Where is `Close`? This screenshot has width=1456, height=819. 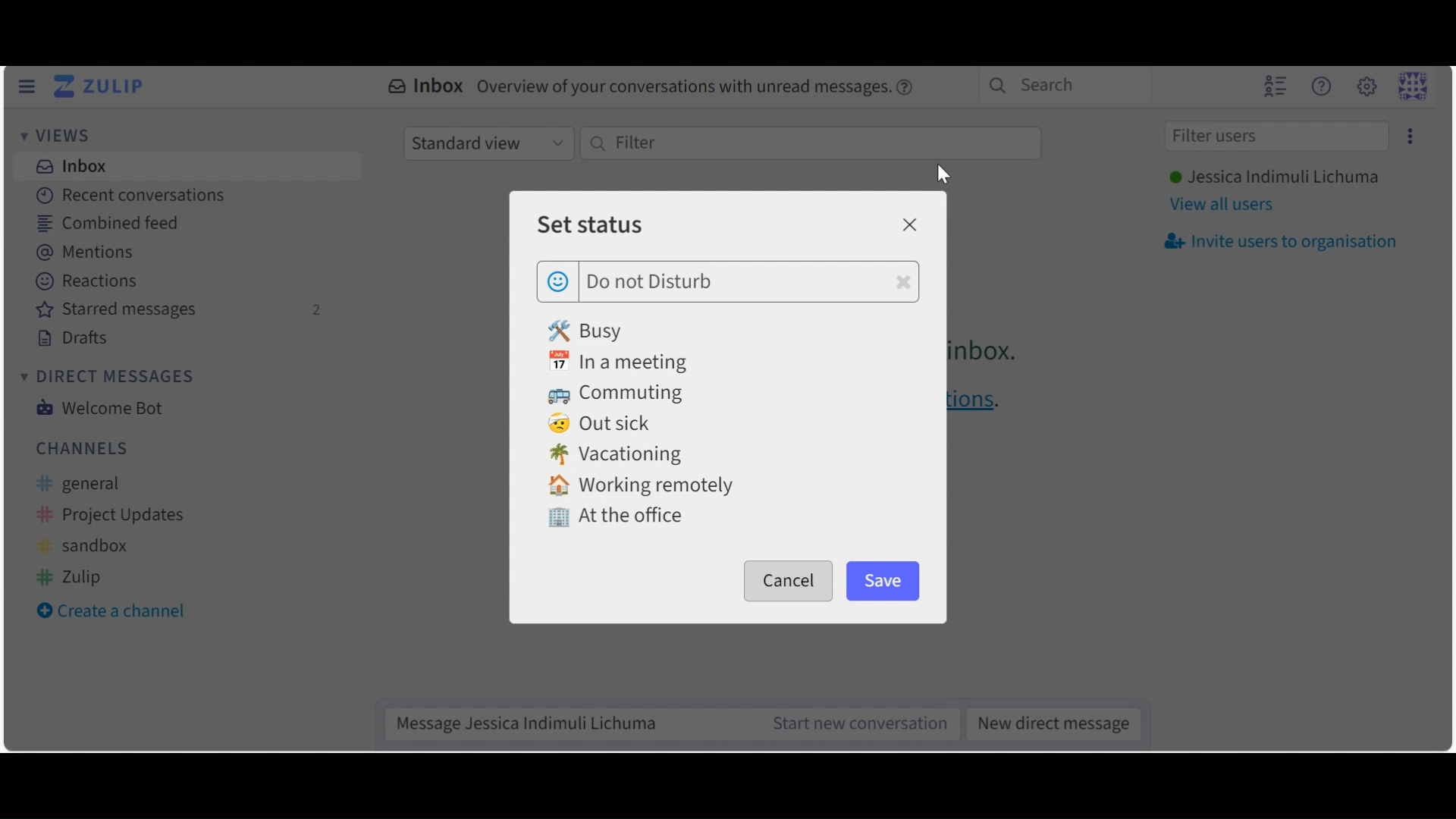
Close is located at coordinates (908, 224).